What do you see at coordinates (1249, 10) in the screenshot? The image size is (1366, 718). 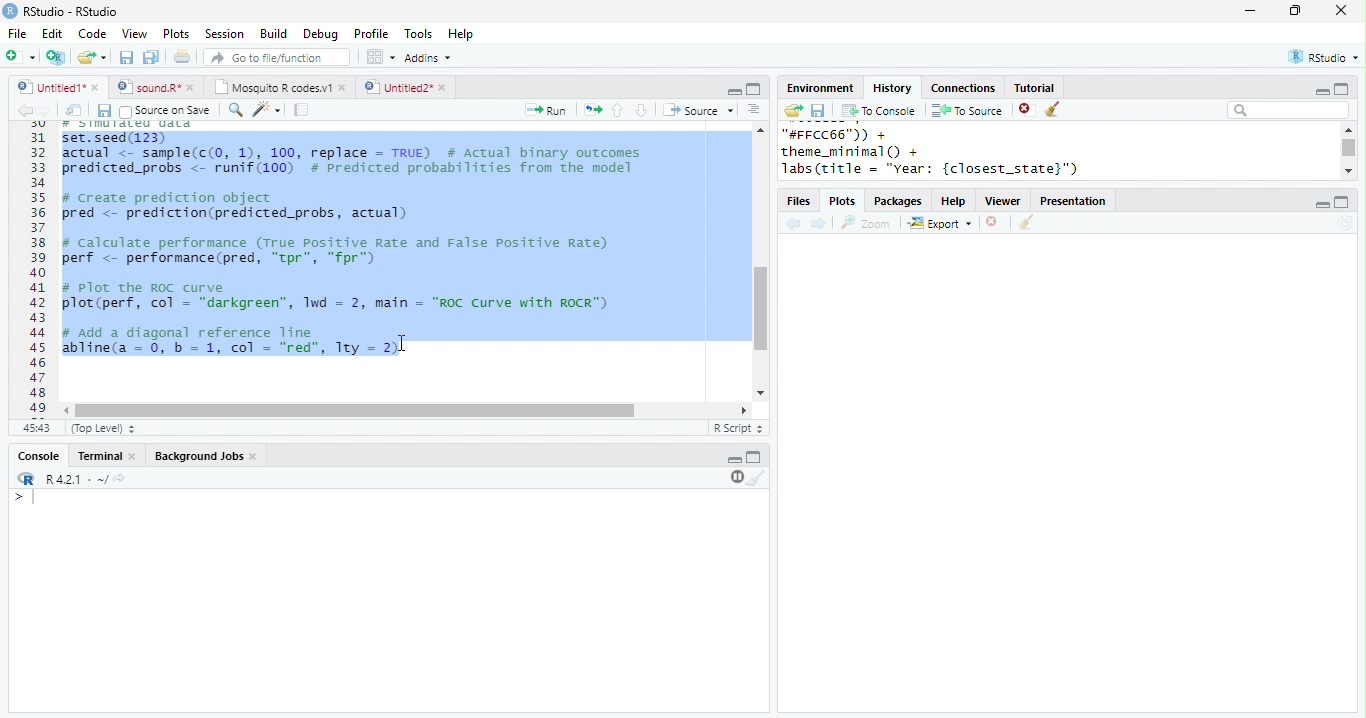 I see `minimize` at bounding box center [1249, 10].